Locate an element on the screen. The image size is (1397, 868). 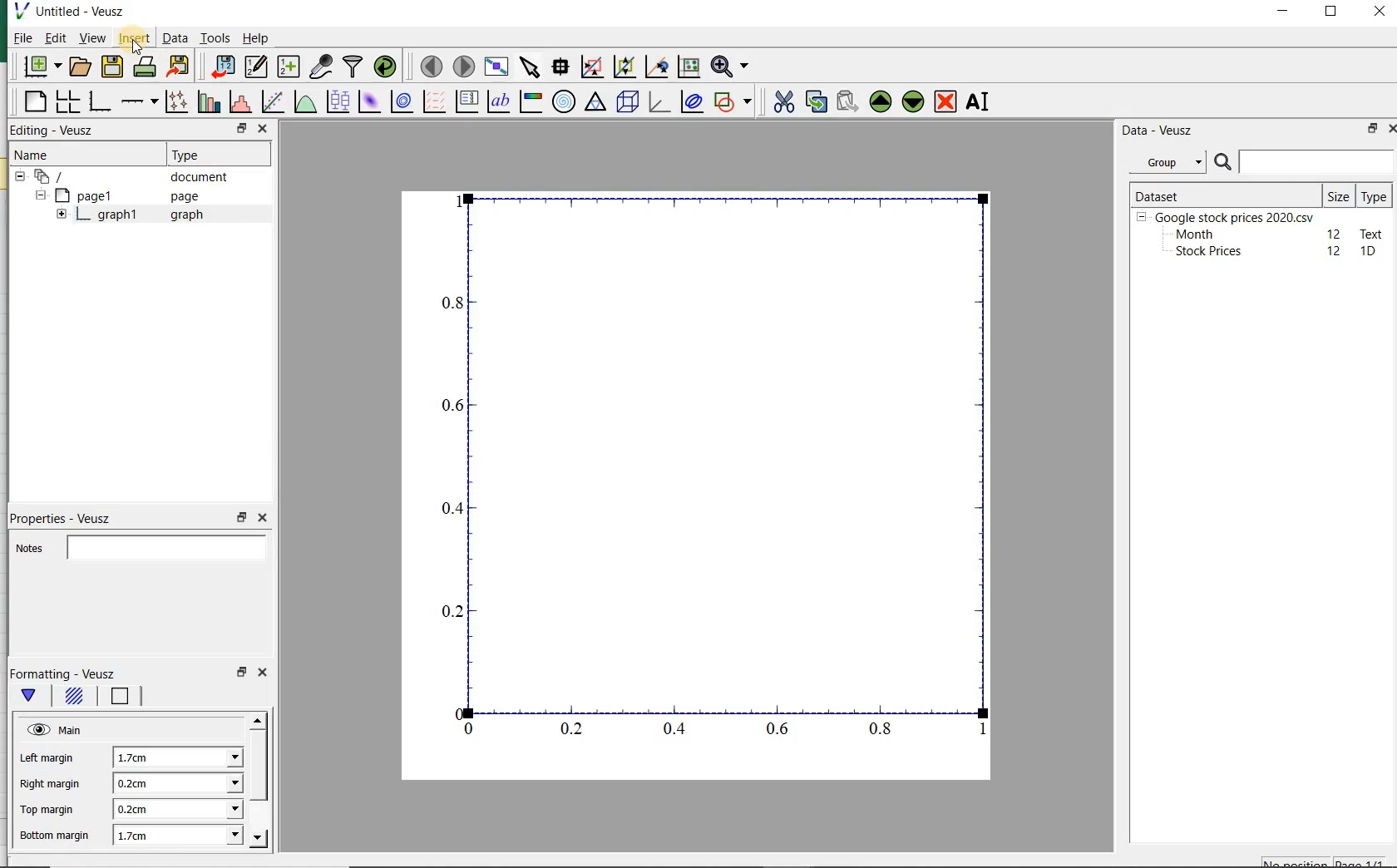
import data into Veusz is located at coordinates (220, 67).